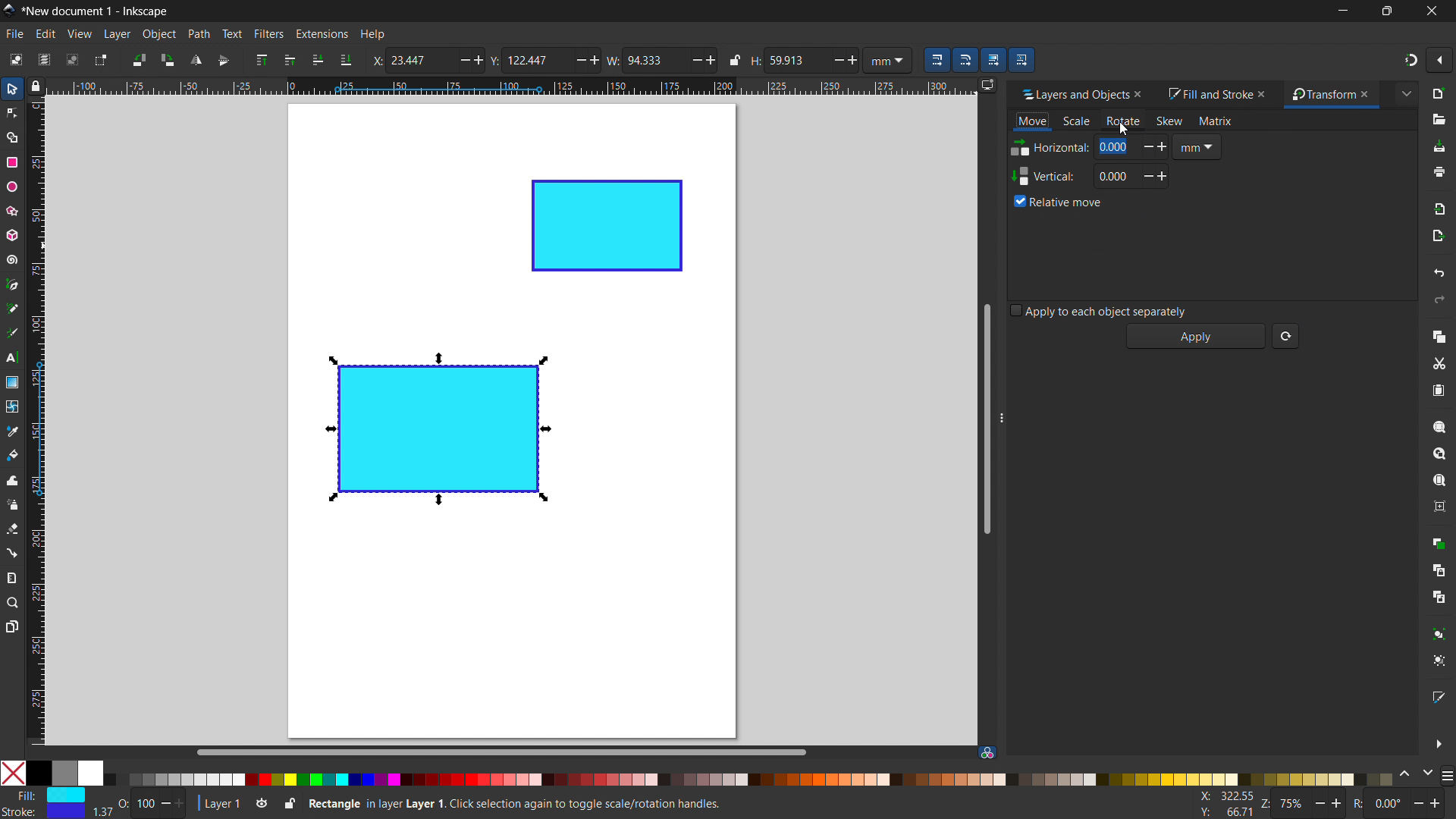 This screenshot has width=1456, height=819. I want to click on Vertical, so click(1047, 177).